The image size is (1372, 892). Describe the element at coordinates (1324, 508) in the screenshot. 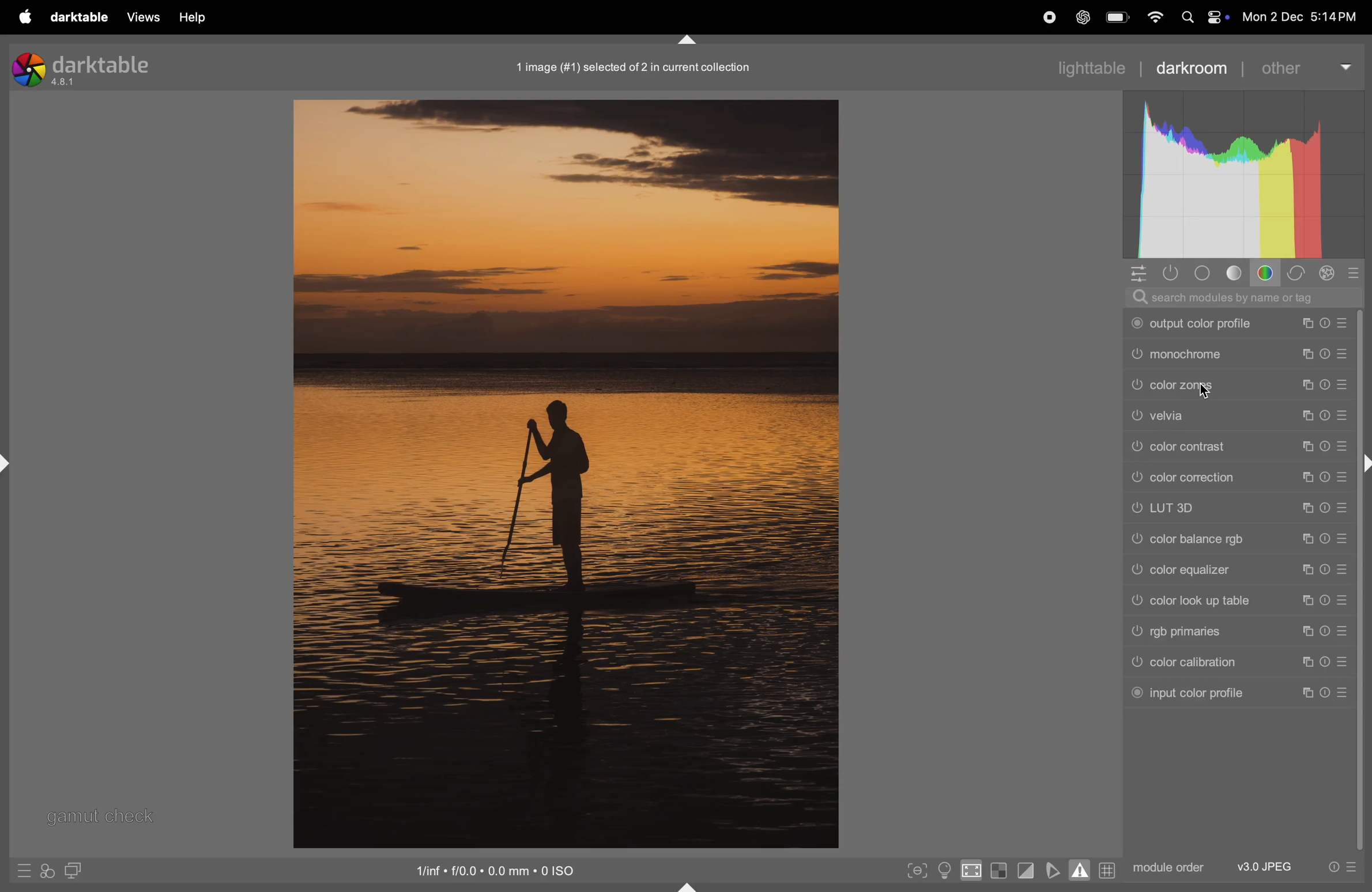

I see `Timer` at that location.